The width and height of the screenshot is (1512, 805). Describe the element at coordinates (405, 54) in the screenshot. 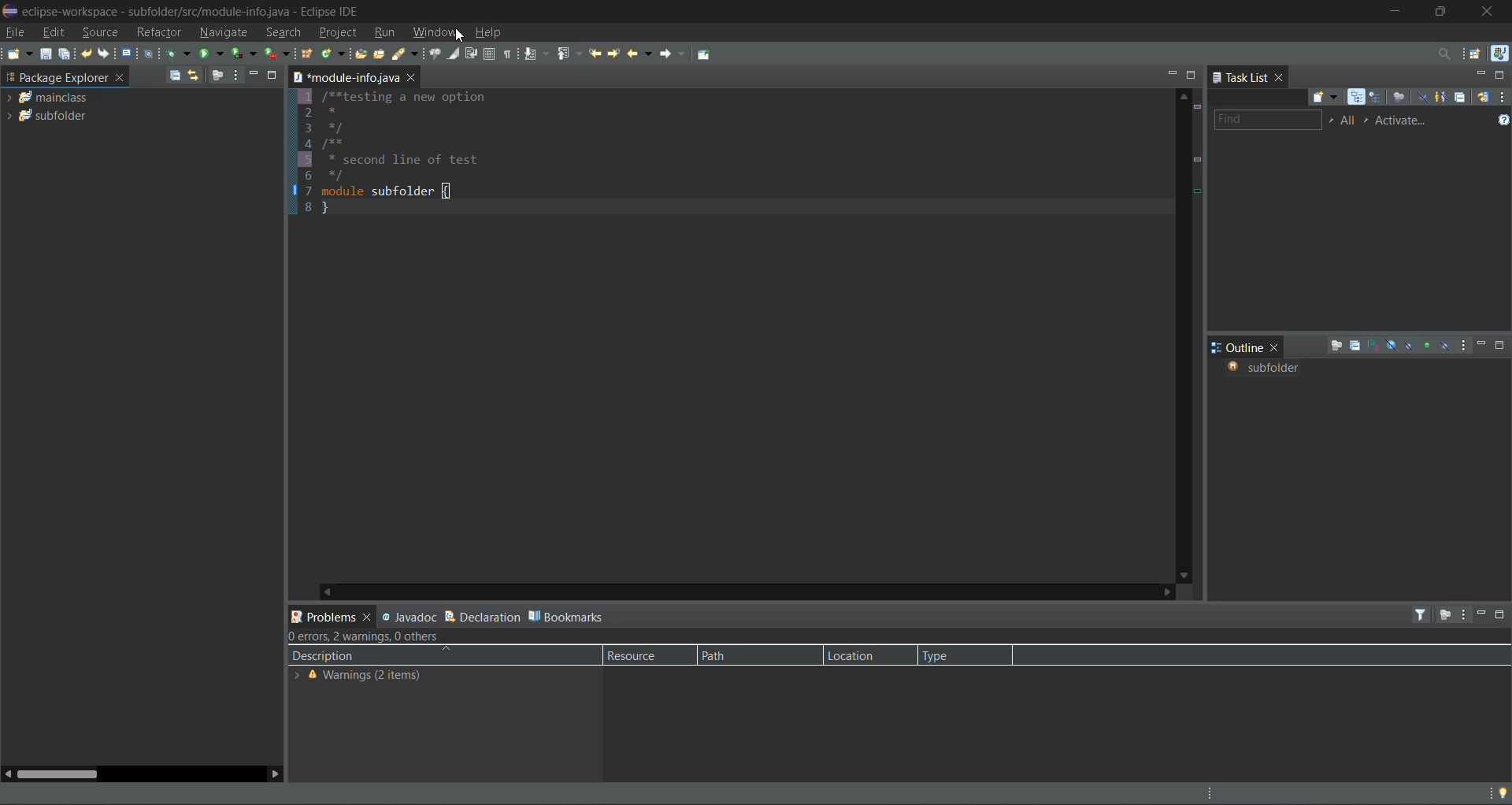

I see `search` at that location.